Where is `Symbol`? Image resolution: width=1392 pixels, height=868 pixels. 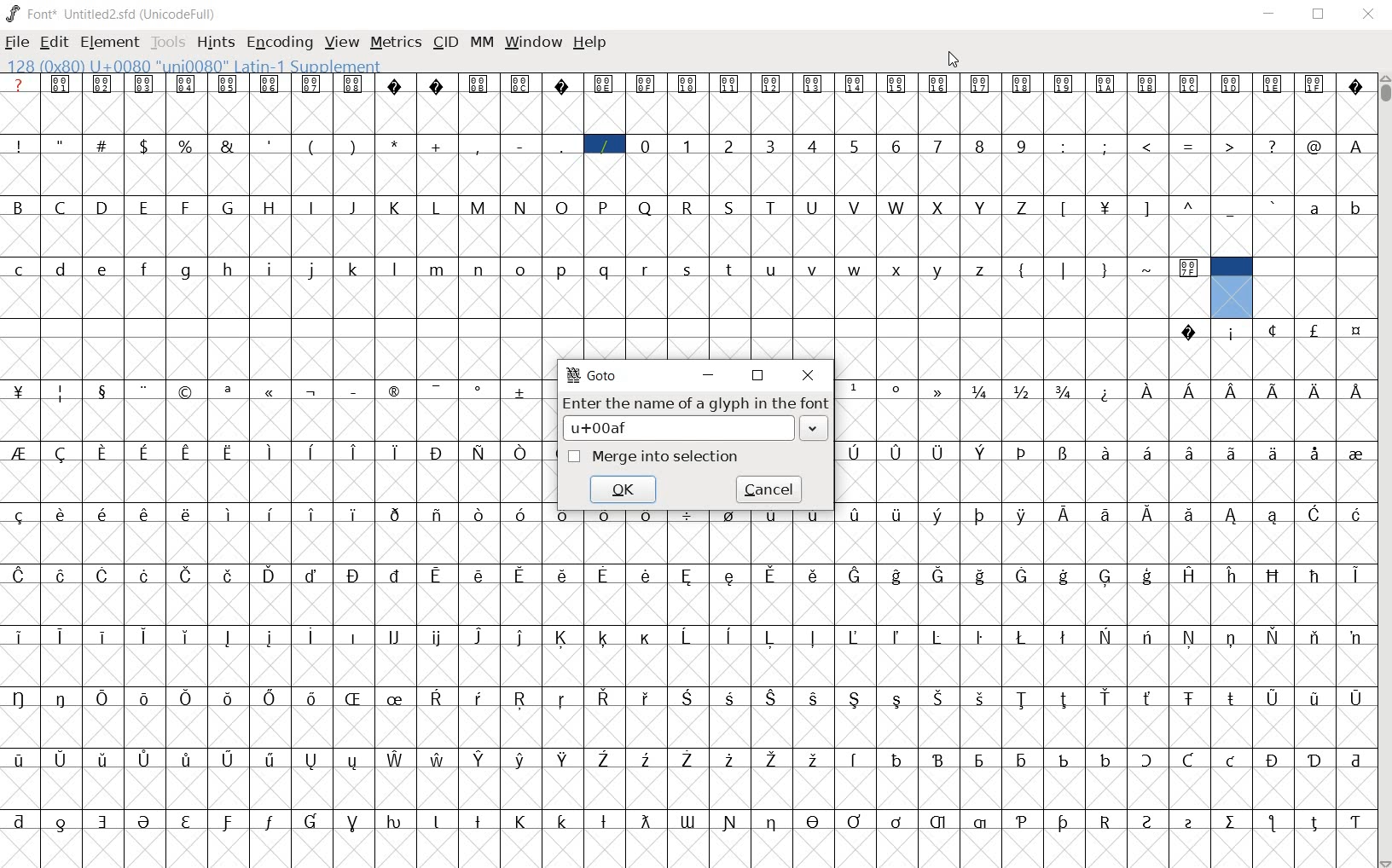 Symbol is located at coordinates (1106, 821).